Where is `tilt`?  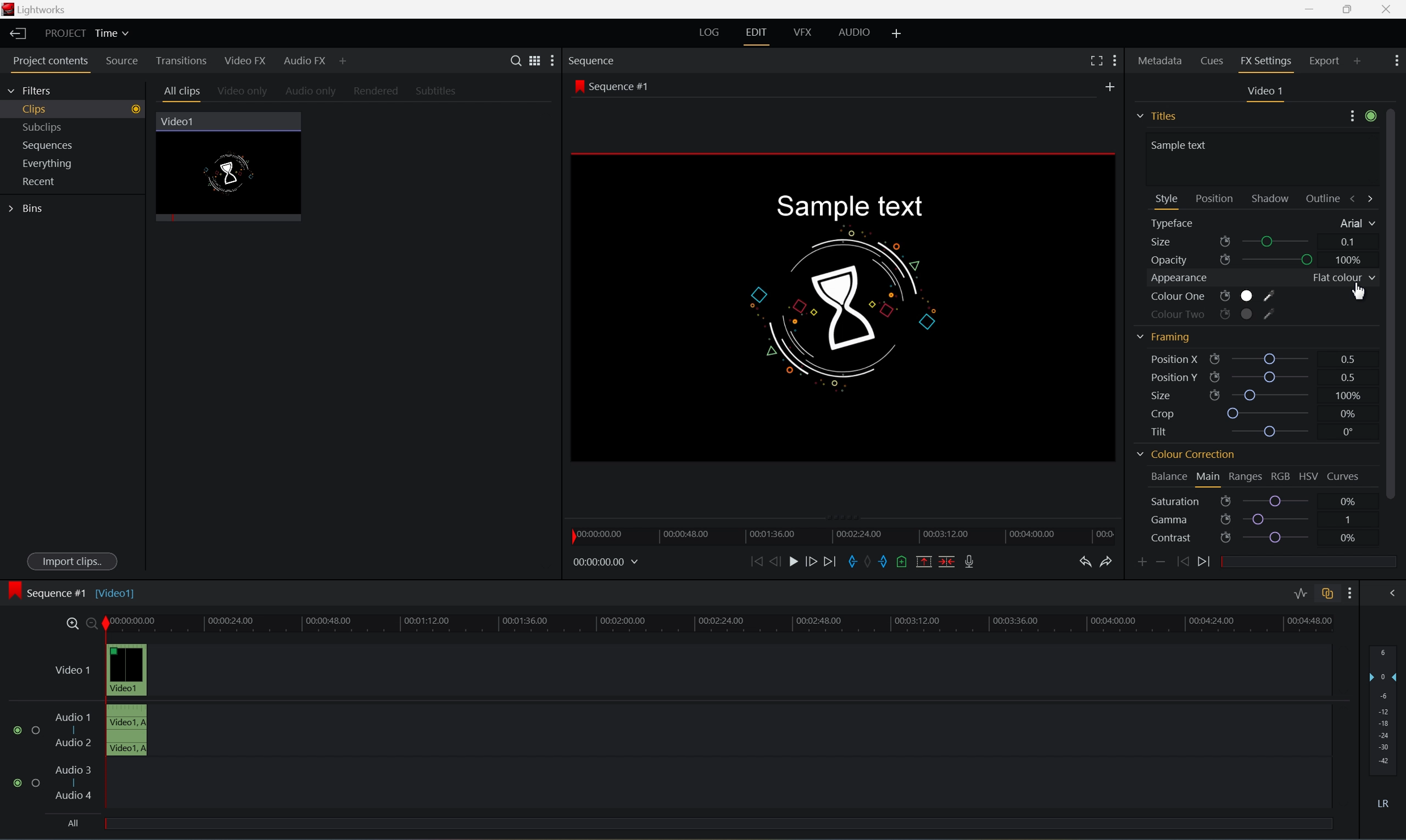
tilt is located at coordinates (1165, 431).